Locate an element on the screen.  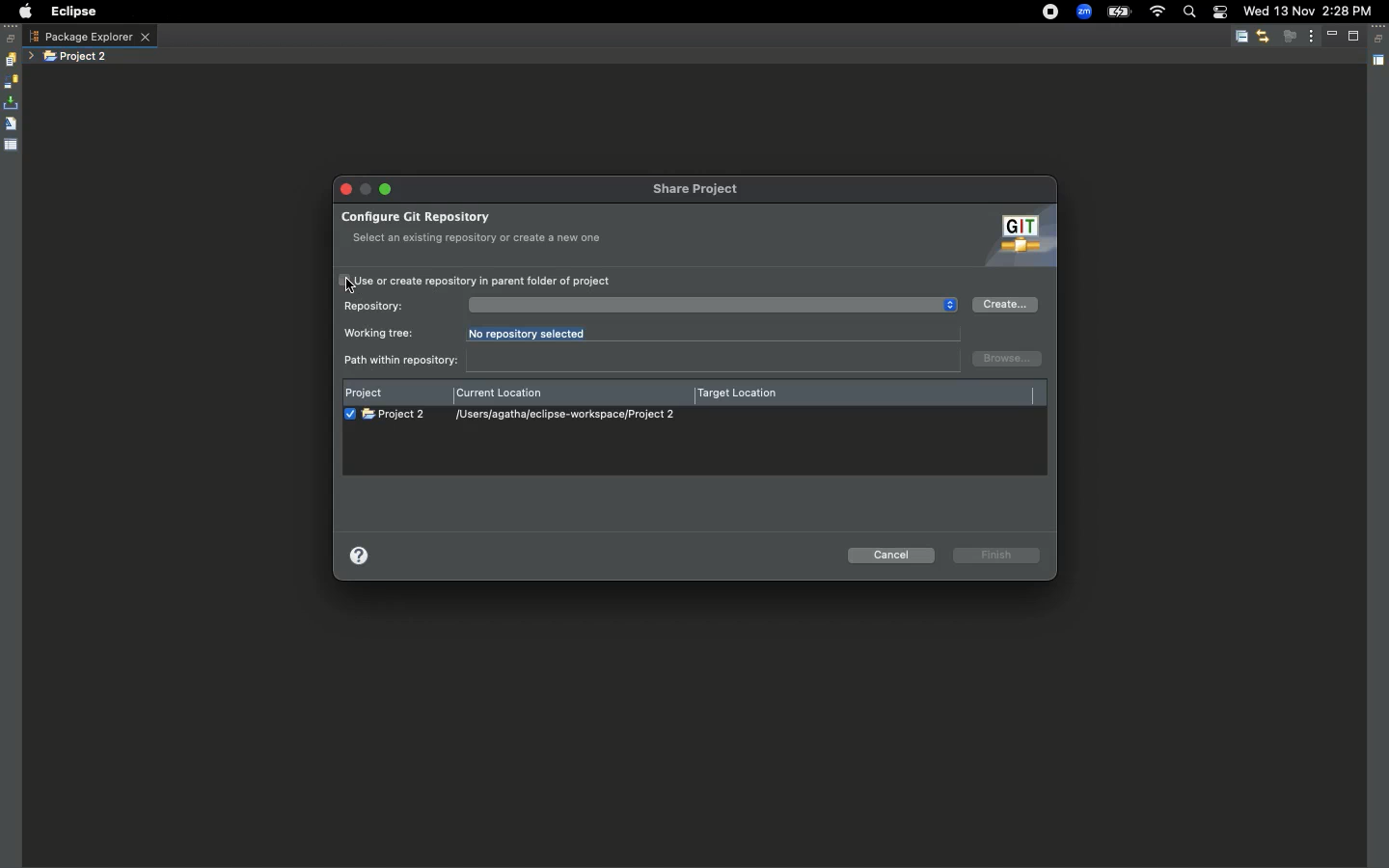
Wed 13 Nov 2:28 PM is located at coordinates (1307, 10).